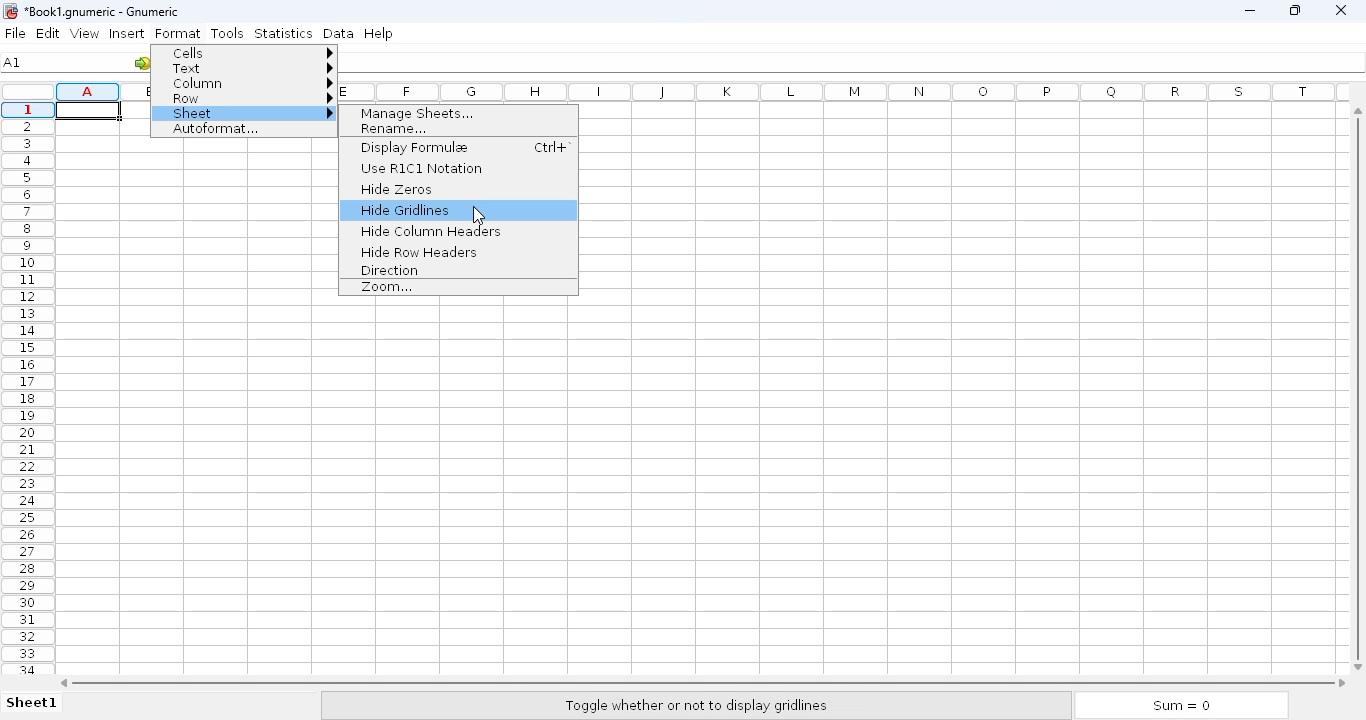 This screenshot has height=720, width=1366. What do you see at coordinates (550, 147) in the screenshot?
I see `Ctrl+` at bounding box center [550, 147].